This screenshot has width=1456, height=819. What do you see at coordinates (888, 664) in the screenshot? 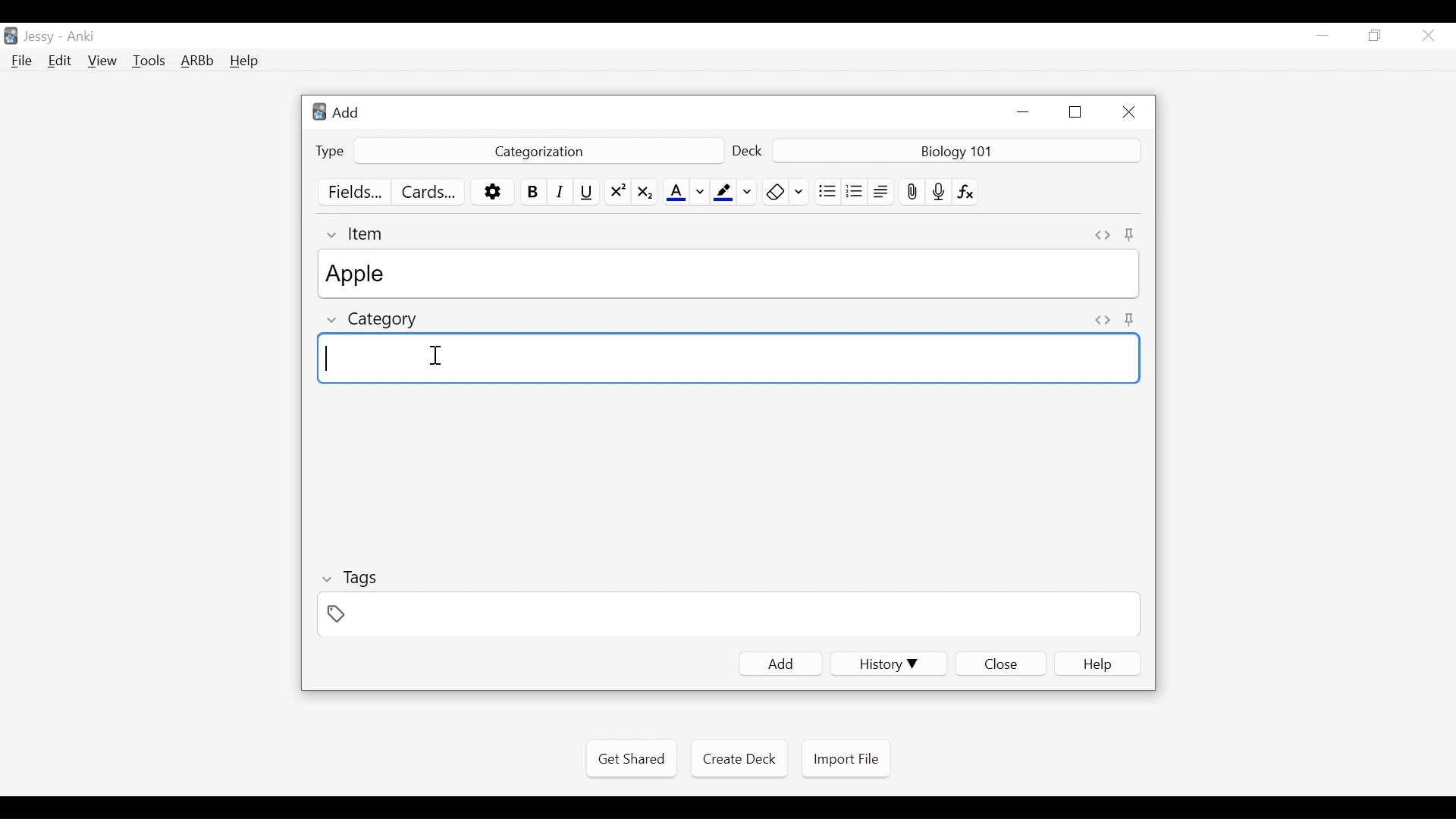
I see `History` at bounding box center [888, 664].